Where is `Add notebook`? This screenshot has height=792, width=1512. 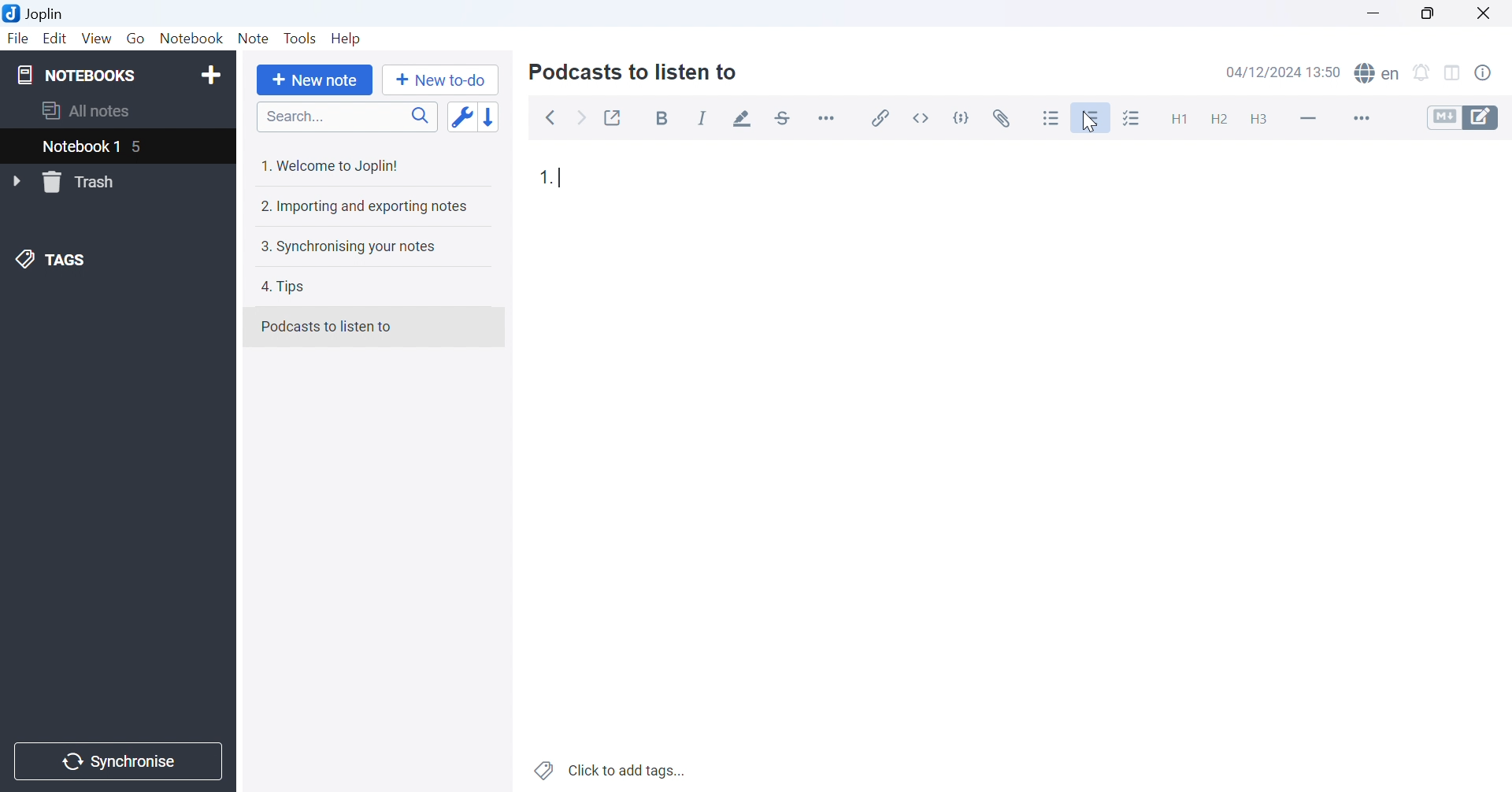 Add notebook is located at coordinates (210, 77).